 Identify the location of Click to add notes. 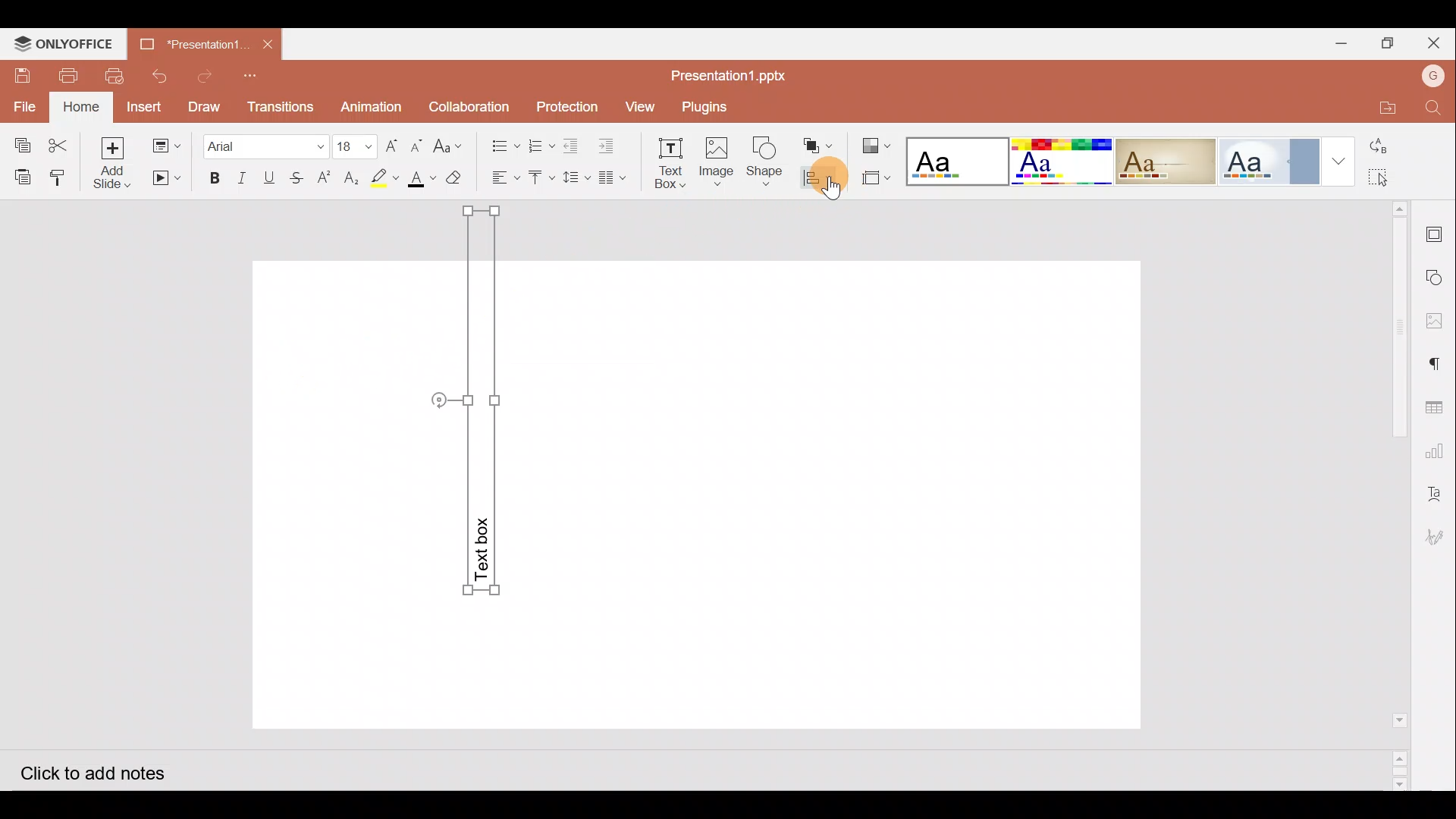
(105, 770).